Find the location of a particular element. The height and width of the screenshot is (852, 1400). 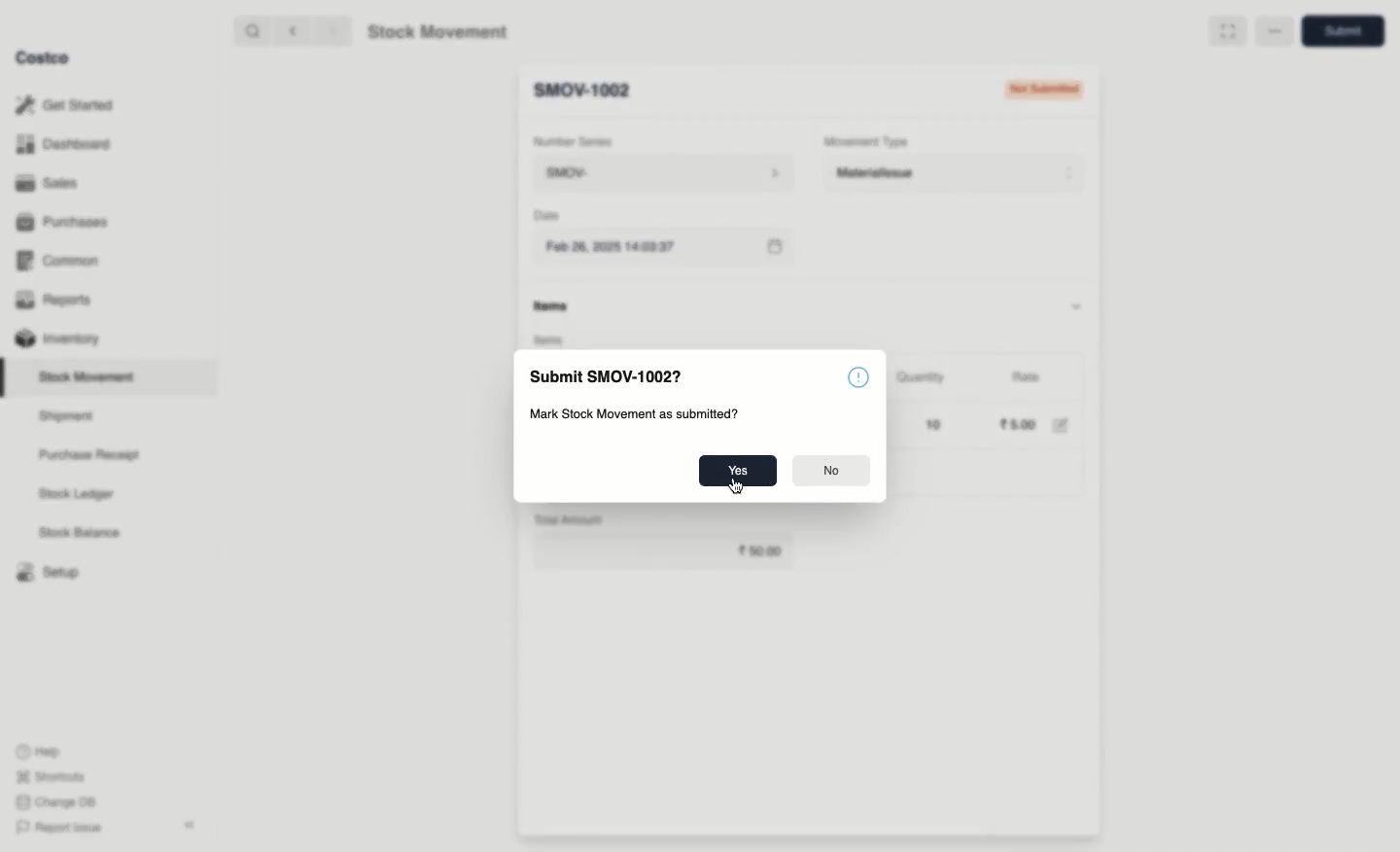

Submit SMOV-1002? is located at coordinates (610, 375).